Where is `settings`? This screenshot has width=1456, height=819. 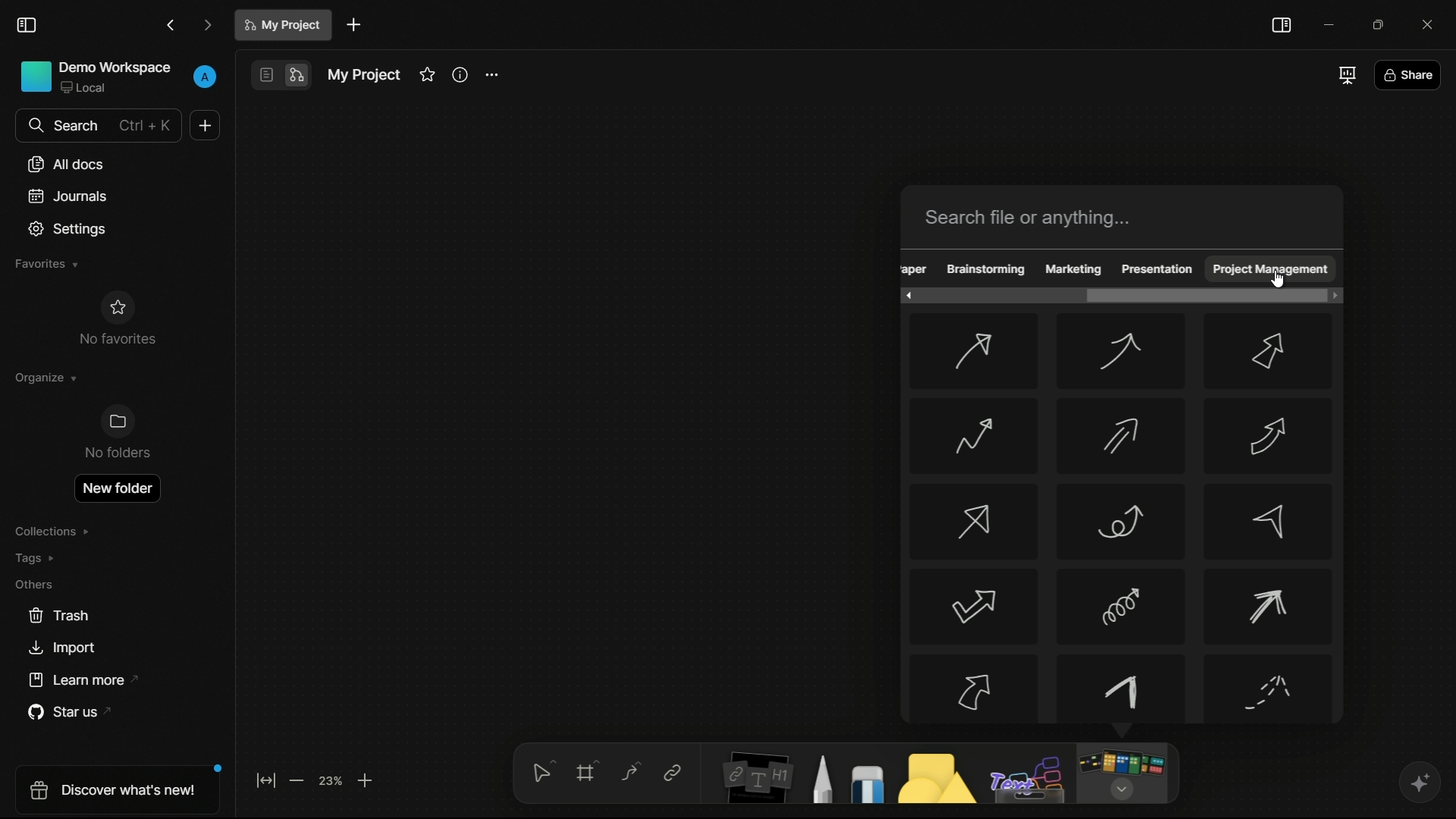 settings is located at coordinates (68, 229).